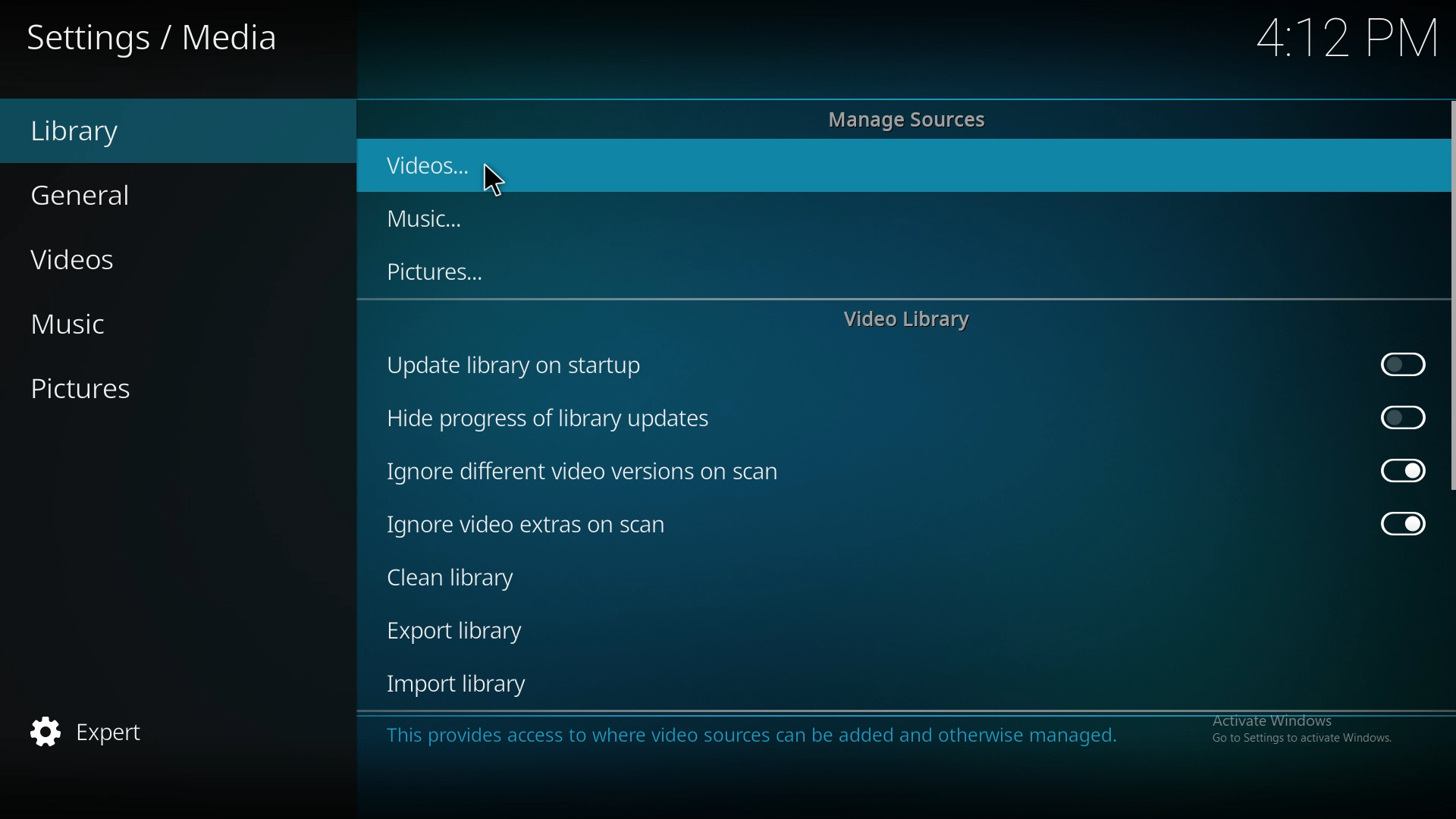  What do you see at coordinates (96, 257) in the screenshot?
I see `videos` at bounding box center [96, 257].